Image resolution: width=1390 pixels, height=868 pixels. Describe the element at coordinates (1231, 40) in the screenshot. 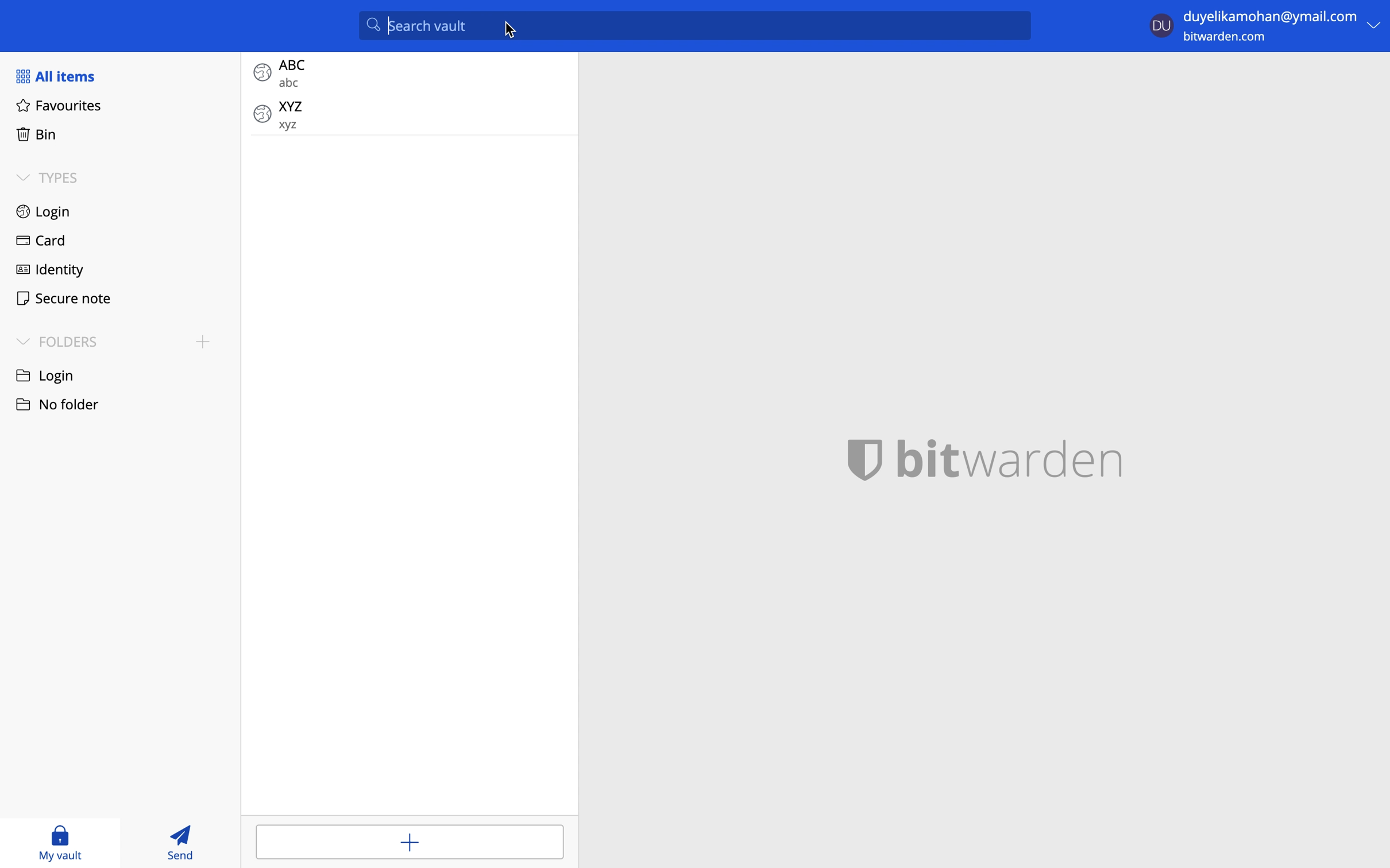

I see `bitwarden.com` at that location.